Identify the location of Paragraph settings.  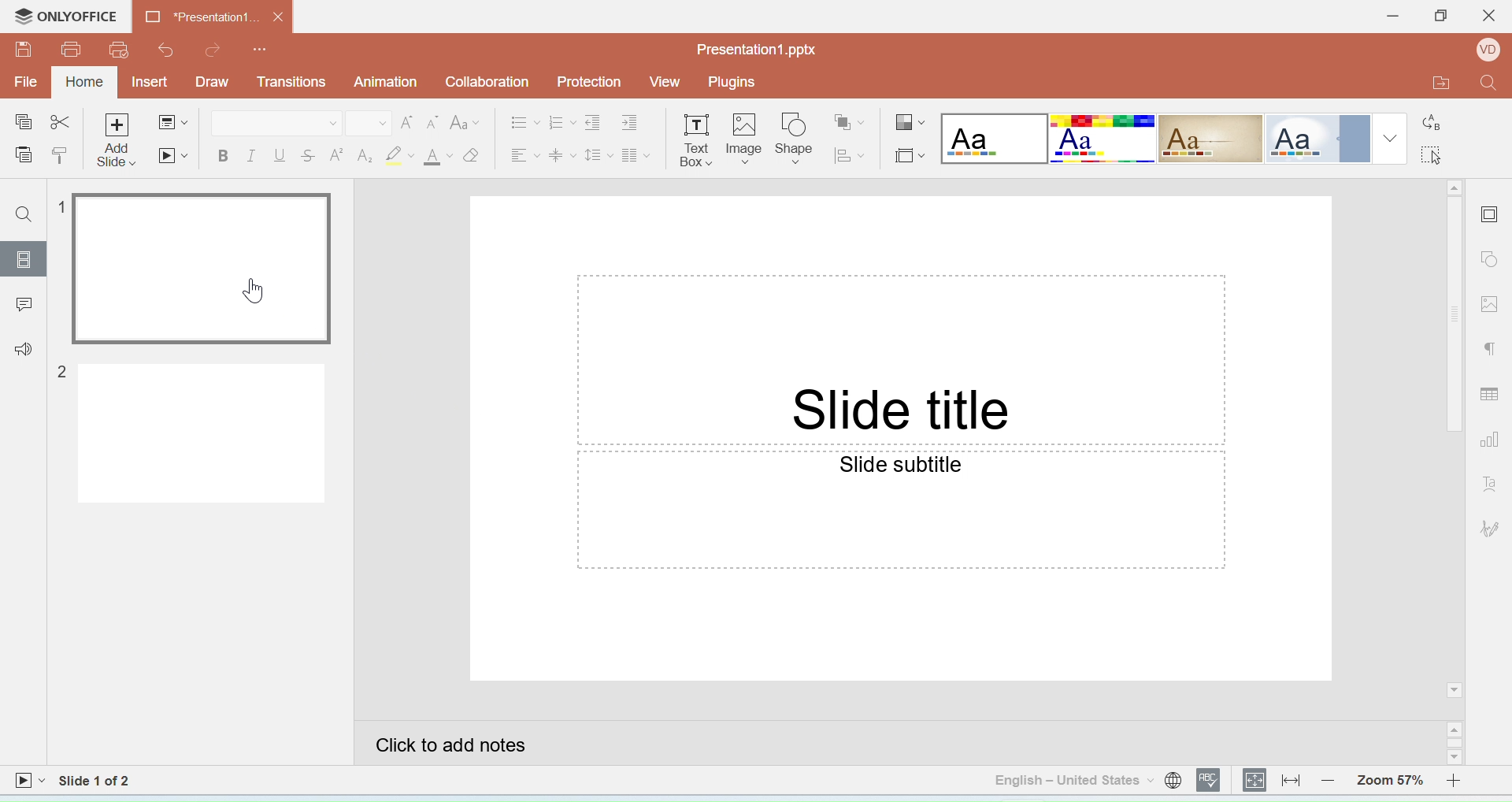
(1492, 351).